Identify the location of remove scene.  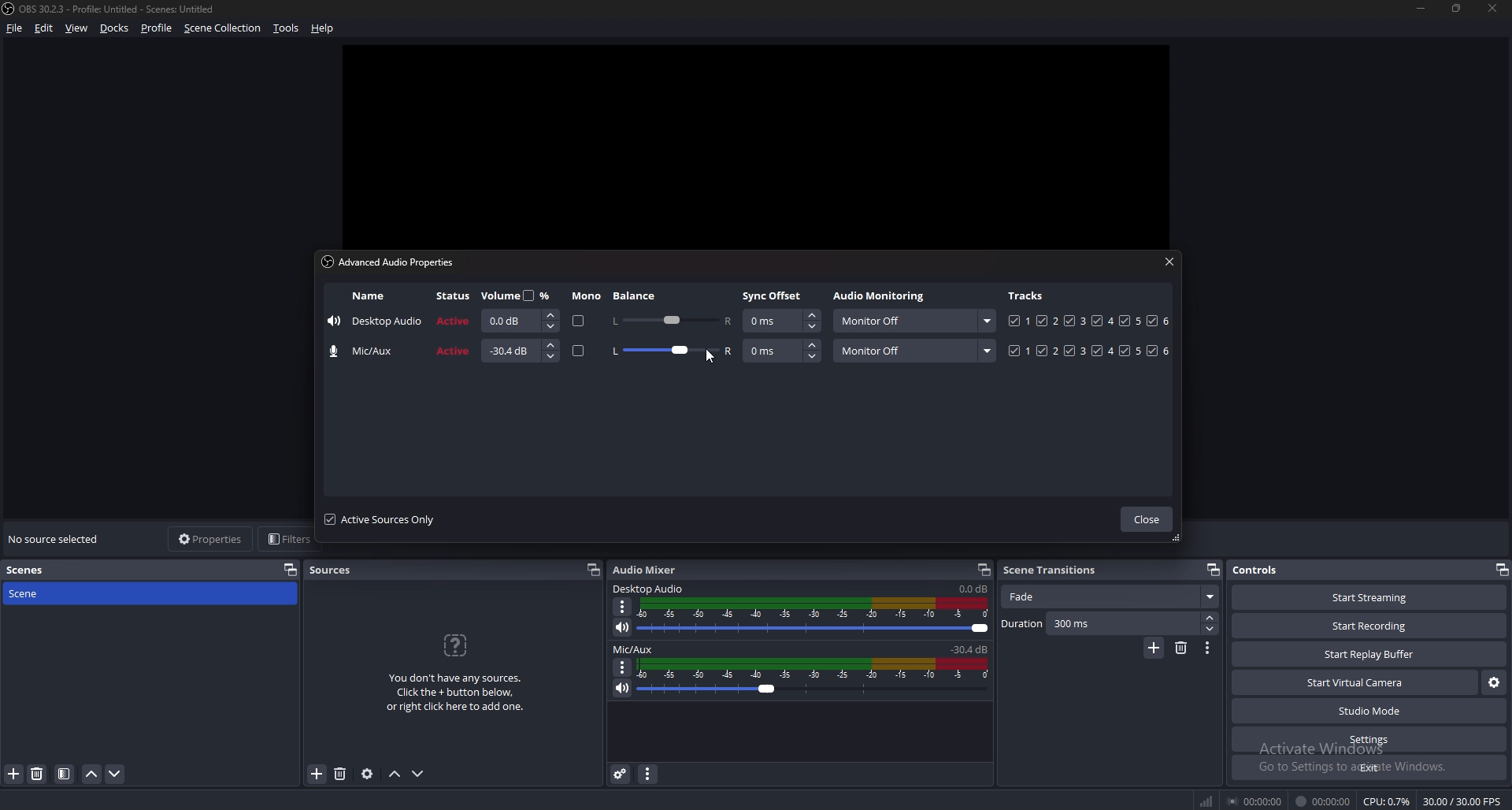
(38, 775).